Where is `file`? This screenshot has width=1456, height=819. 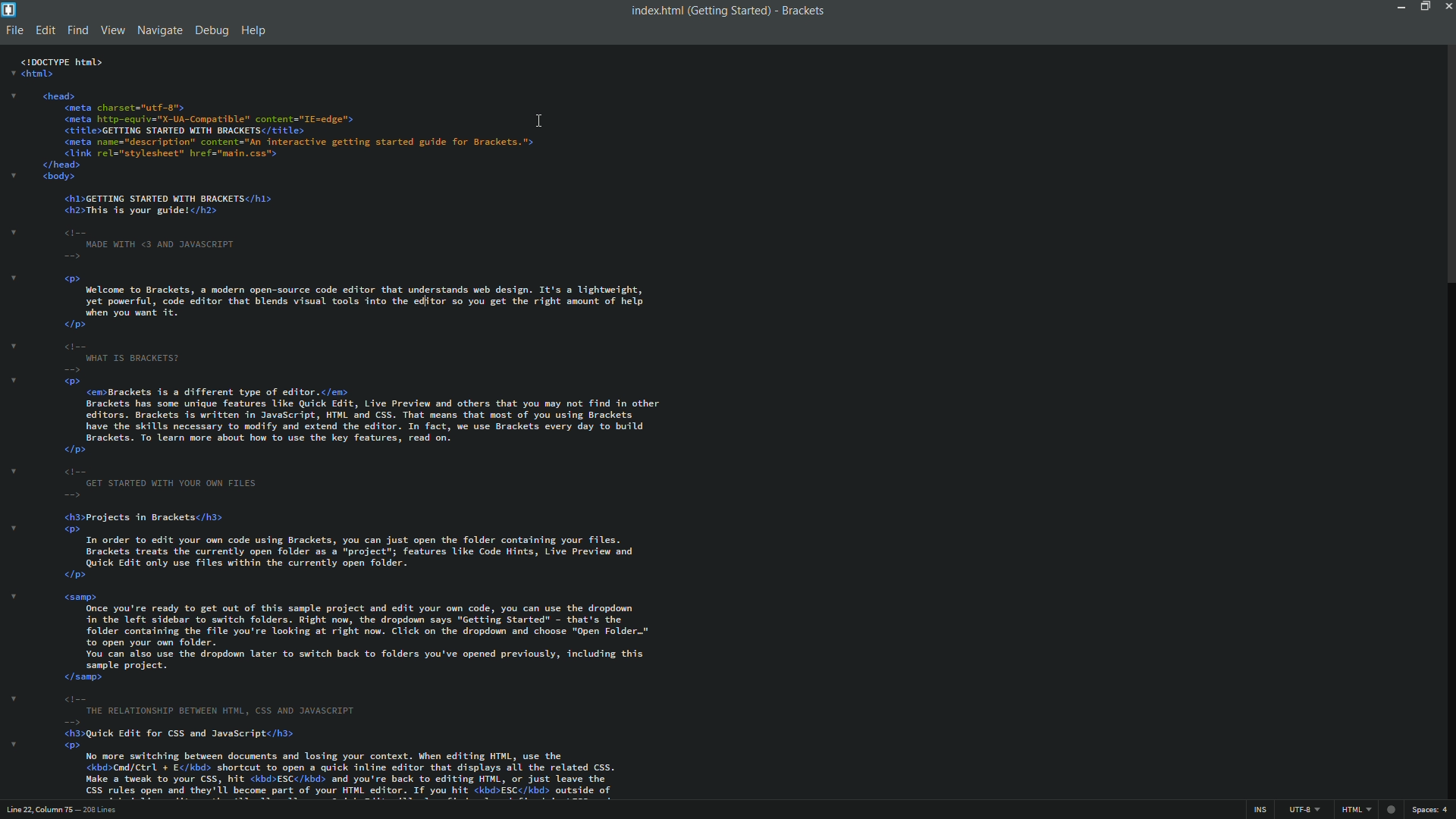
file is located at coordinates (15, 32).